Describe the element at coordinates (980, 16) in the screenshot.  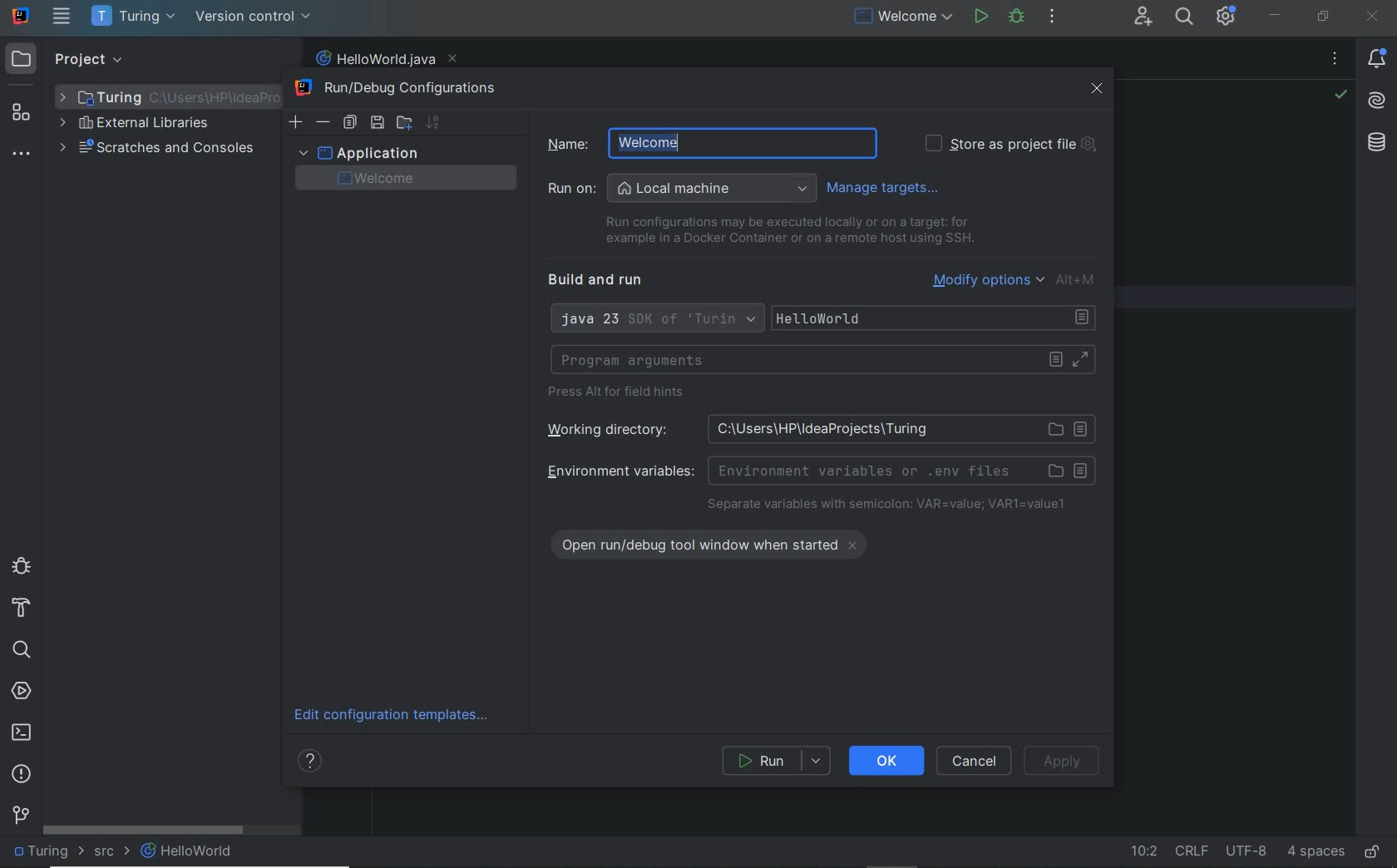
I see `run` at that location.